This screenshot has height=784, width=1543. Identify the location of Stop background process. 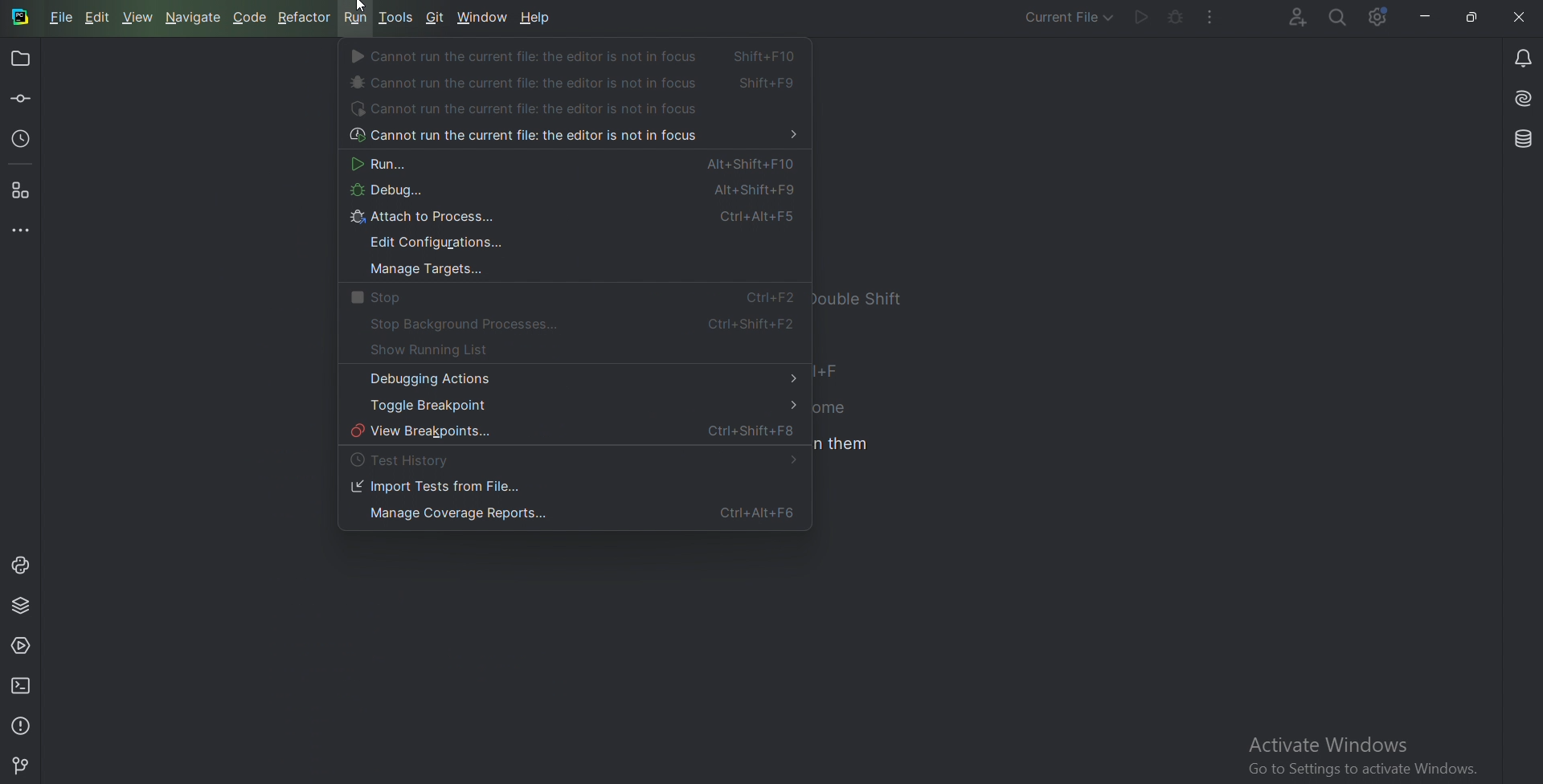
(579, 325).